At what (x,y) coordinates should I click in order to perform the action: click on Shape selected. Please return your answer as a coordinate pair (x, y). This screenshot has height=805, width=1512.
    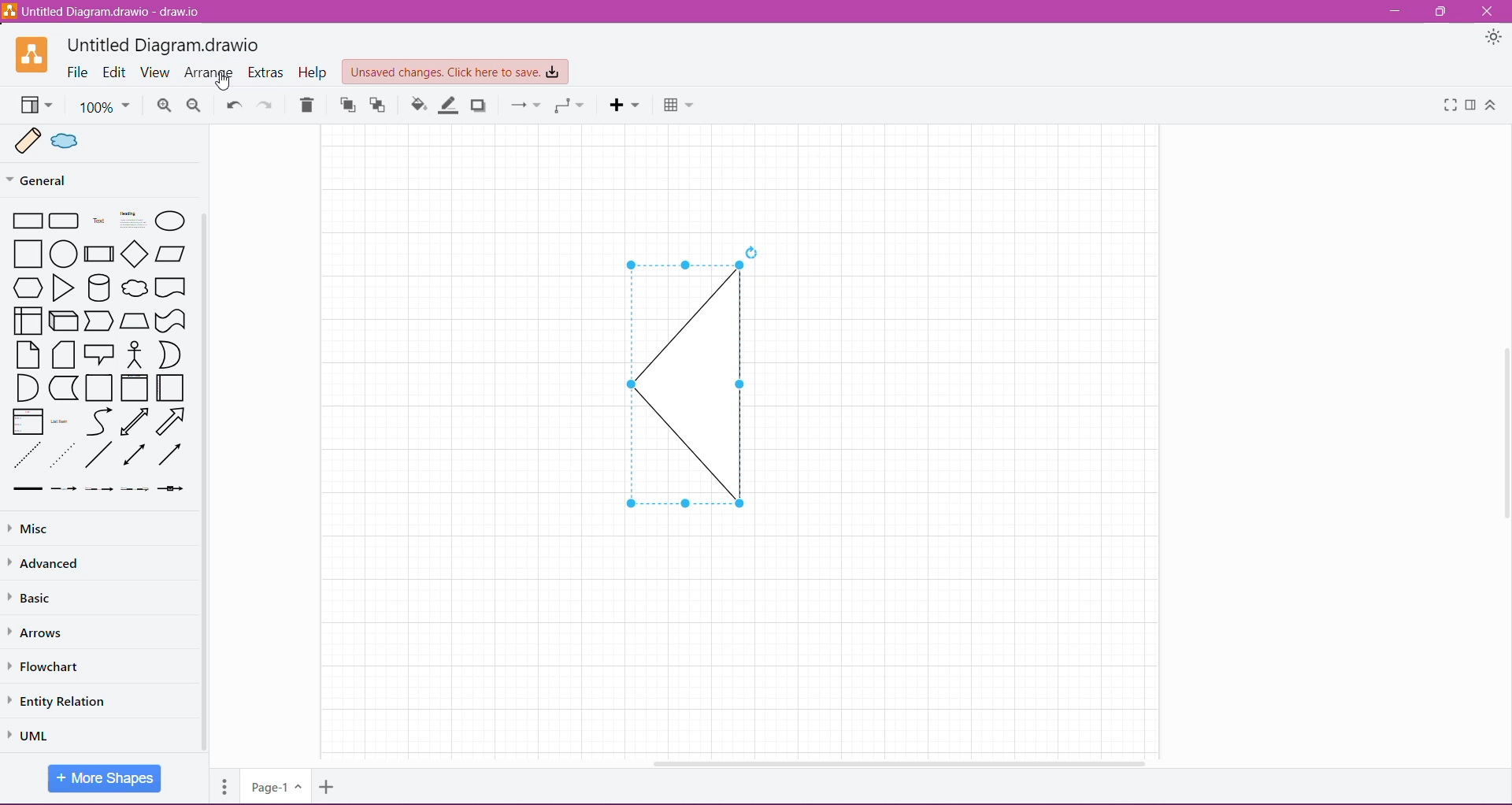
    Looking at the image, I should click on (677, 380).